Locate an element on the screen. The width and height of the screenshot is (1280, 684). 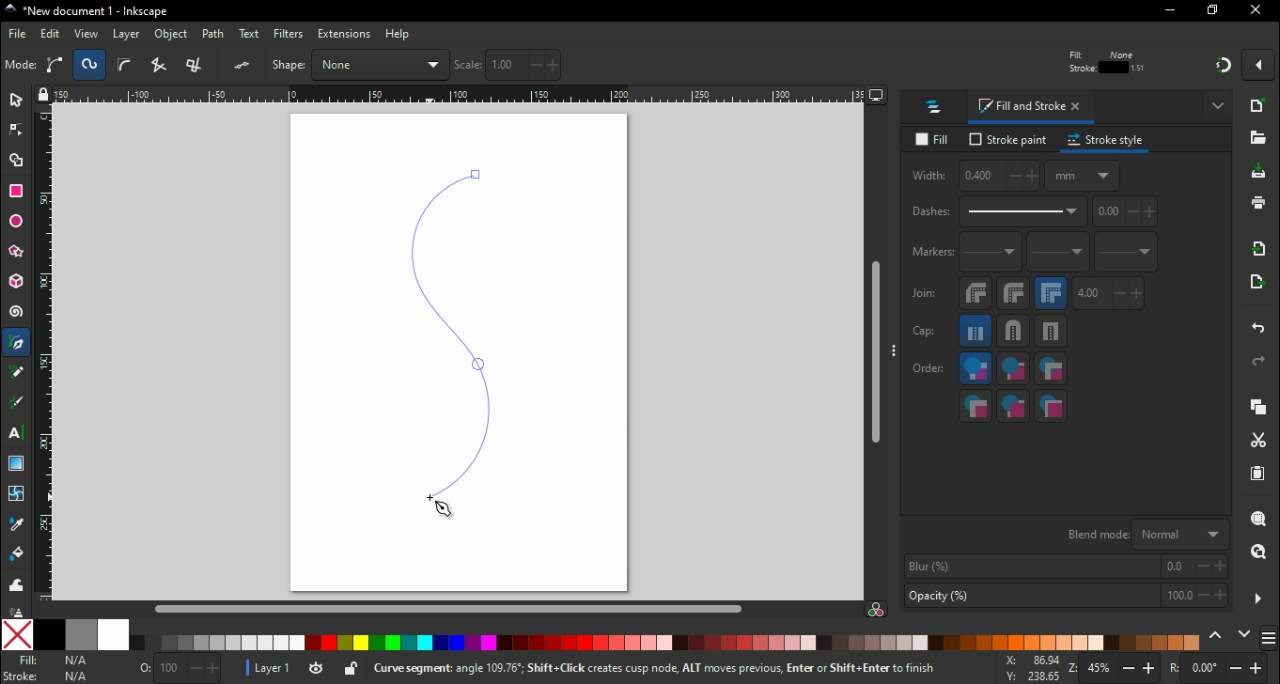
restore is located at coordinates (1214, 12).